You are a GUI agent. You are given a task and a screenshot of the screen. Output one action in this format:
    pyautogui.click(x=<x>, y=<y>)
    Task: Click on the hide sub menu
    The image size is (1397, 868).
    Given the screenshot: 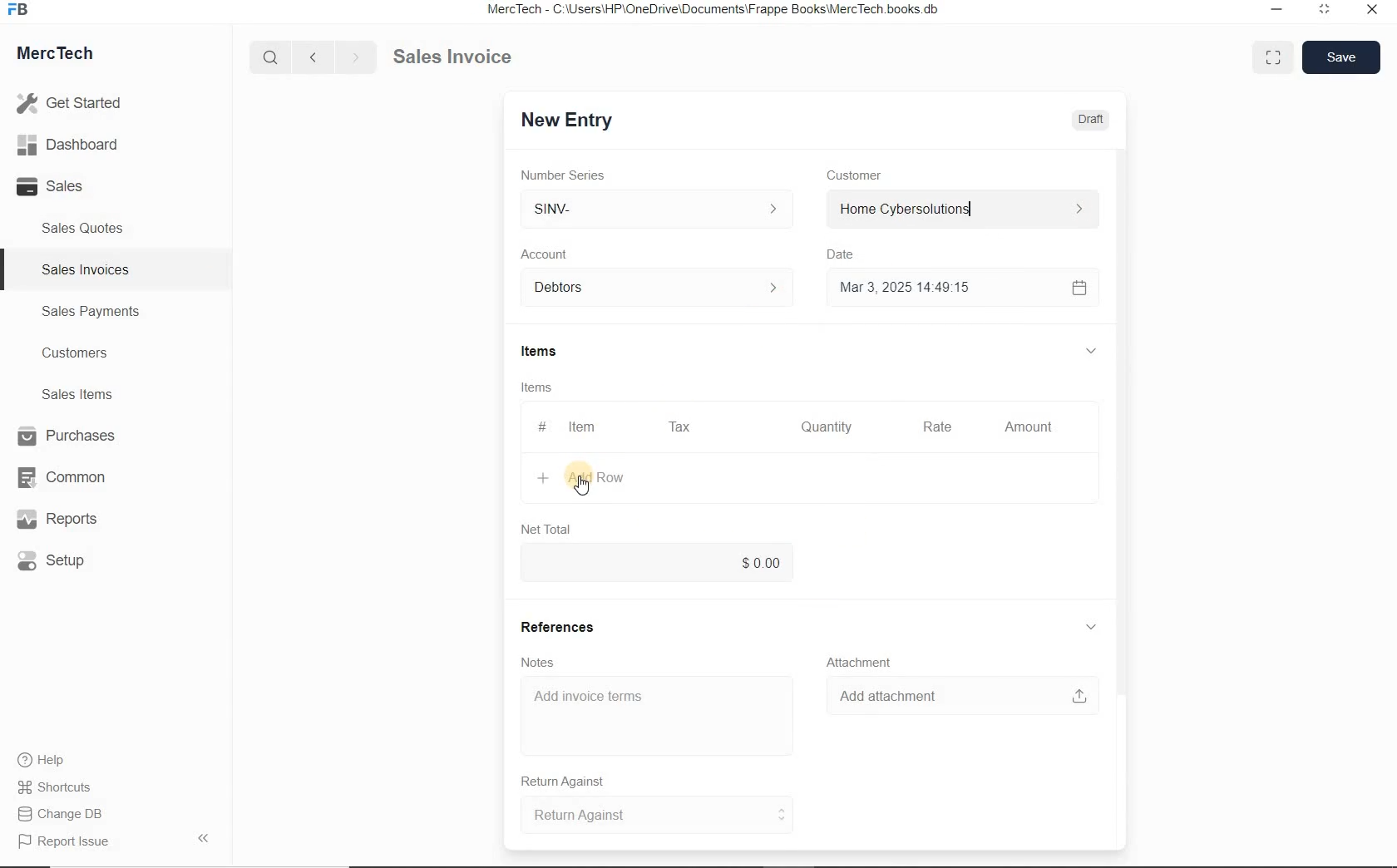 What is the action you would take?
    pyautogui.click(x=1089, y=350)
    